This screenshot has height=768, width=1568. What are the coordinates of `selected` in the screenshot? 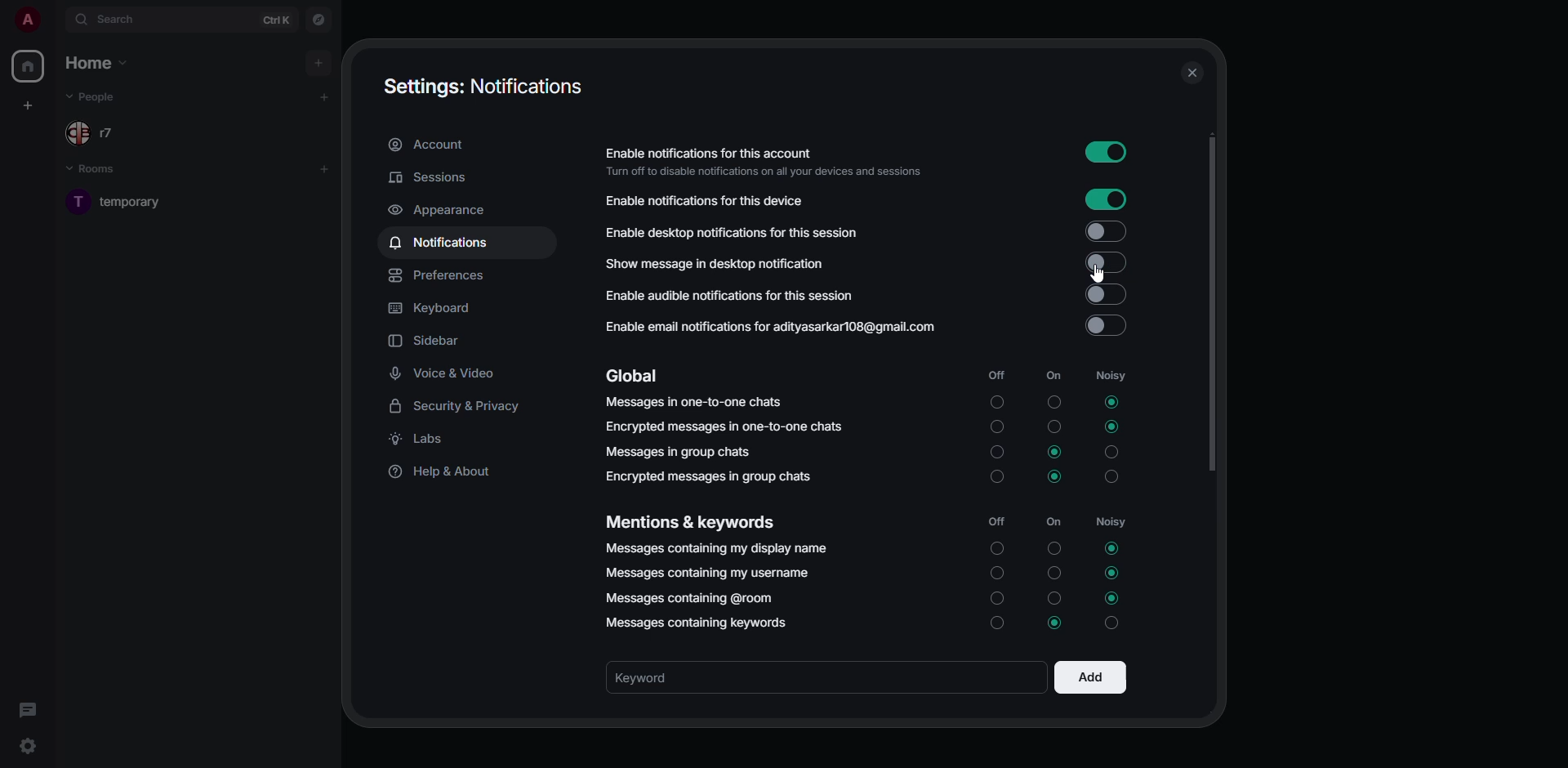 It's located at (1057, 622).